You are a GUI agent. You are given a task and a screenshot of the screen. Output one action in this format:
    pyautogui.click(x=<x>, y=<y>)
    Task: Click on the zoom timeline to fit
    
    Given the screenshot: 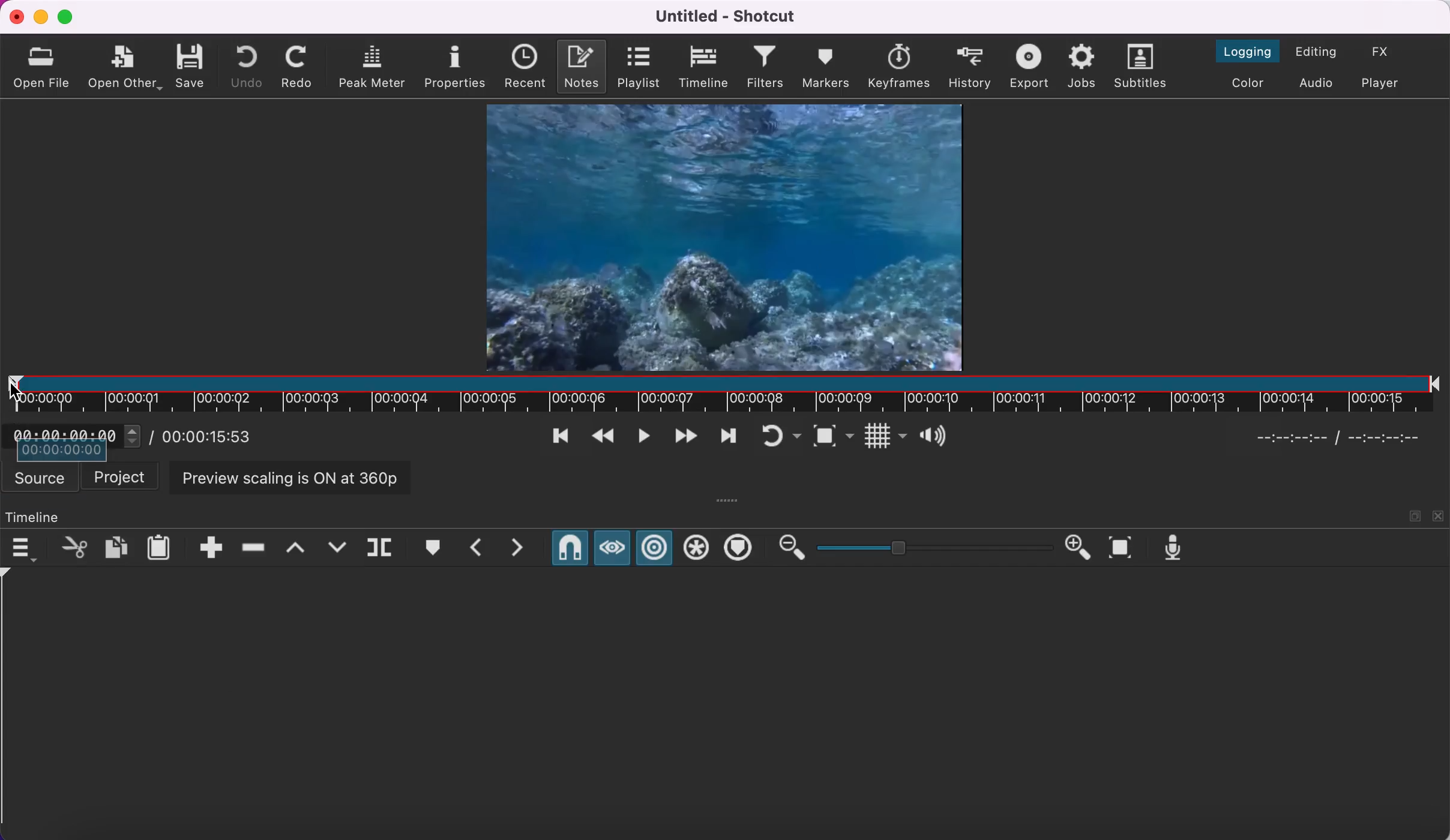 What is the action you would take?
    pyautogui.click(x=1125, y=548)
    